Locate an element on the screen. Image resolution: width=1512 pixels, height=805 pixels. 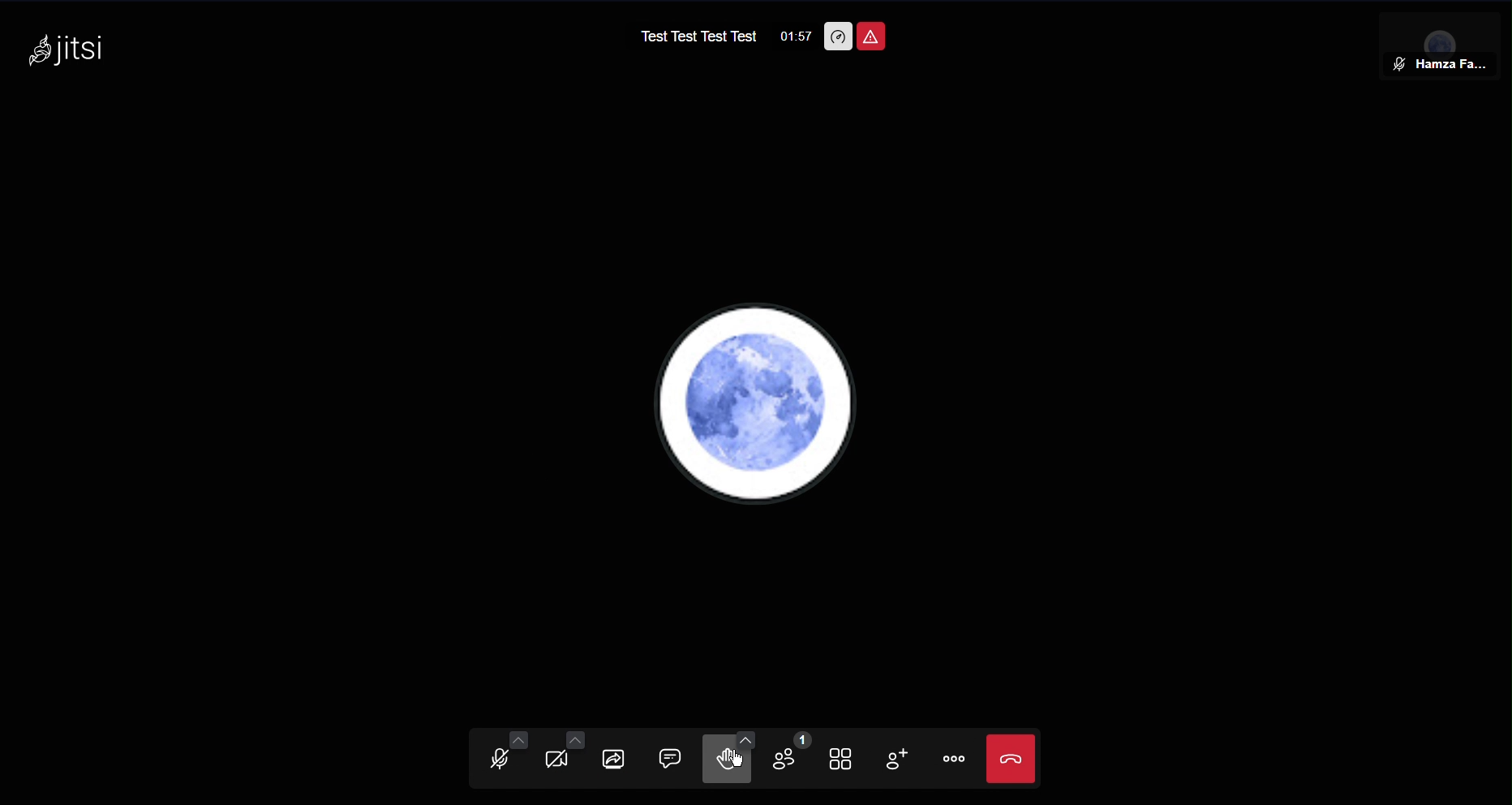
Toggle View is located at coordinates (851, 756).